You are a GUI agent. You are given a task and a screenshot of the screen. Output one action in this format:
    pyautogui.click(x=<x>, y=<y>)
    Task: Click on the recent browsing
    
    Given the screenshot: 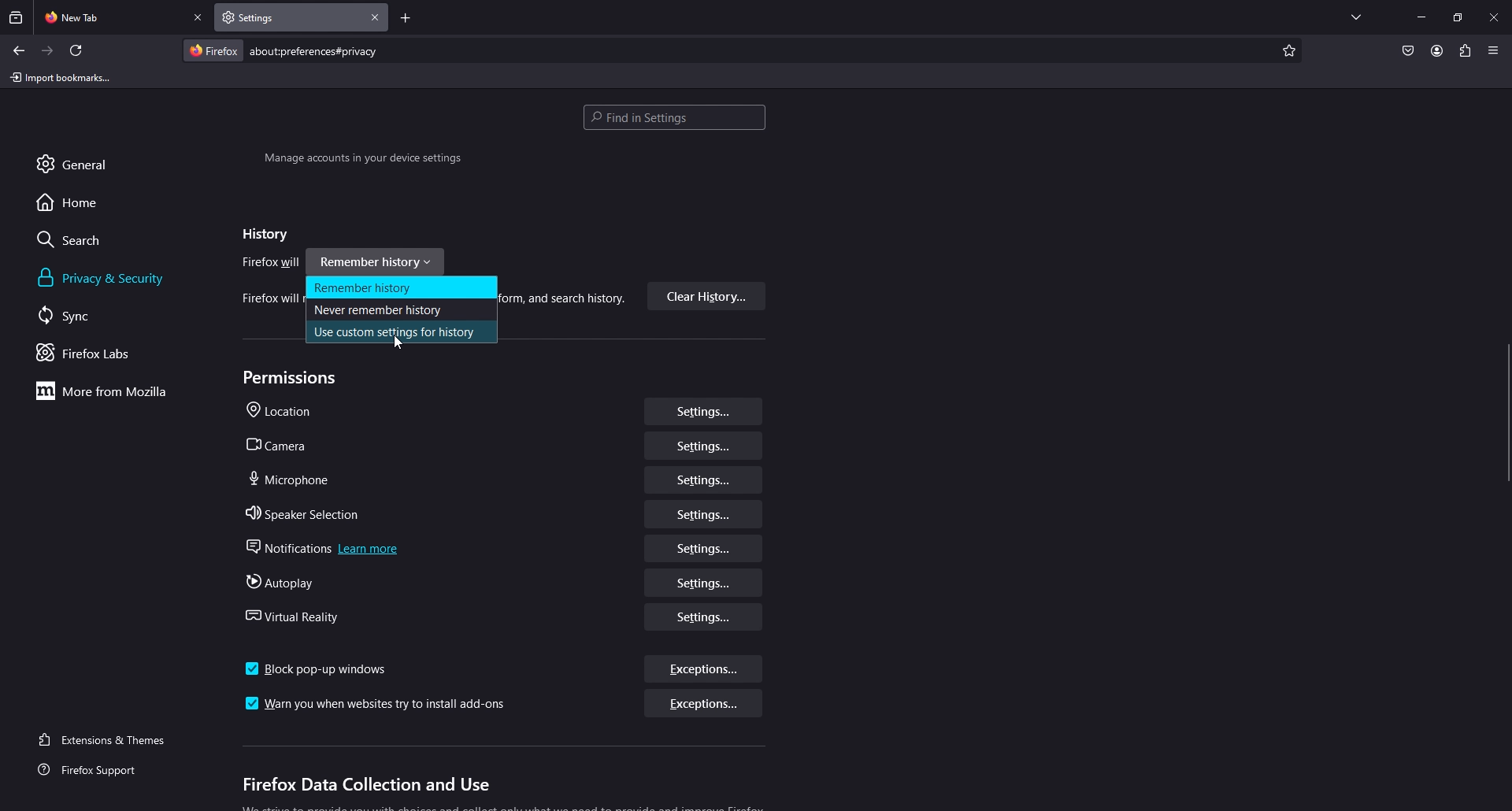 What is the action you would take?
    pyautogui.click(x=17, y=17)
    